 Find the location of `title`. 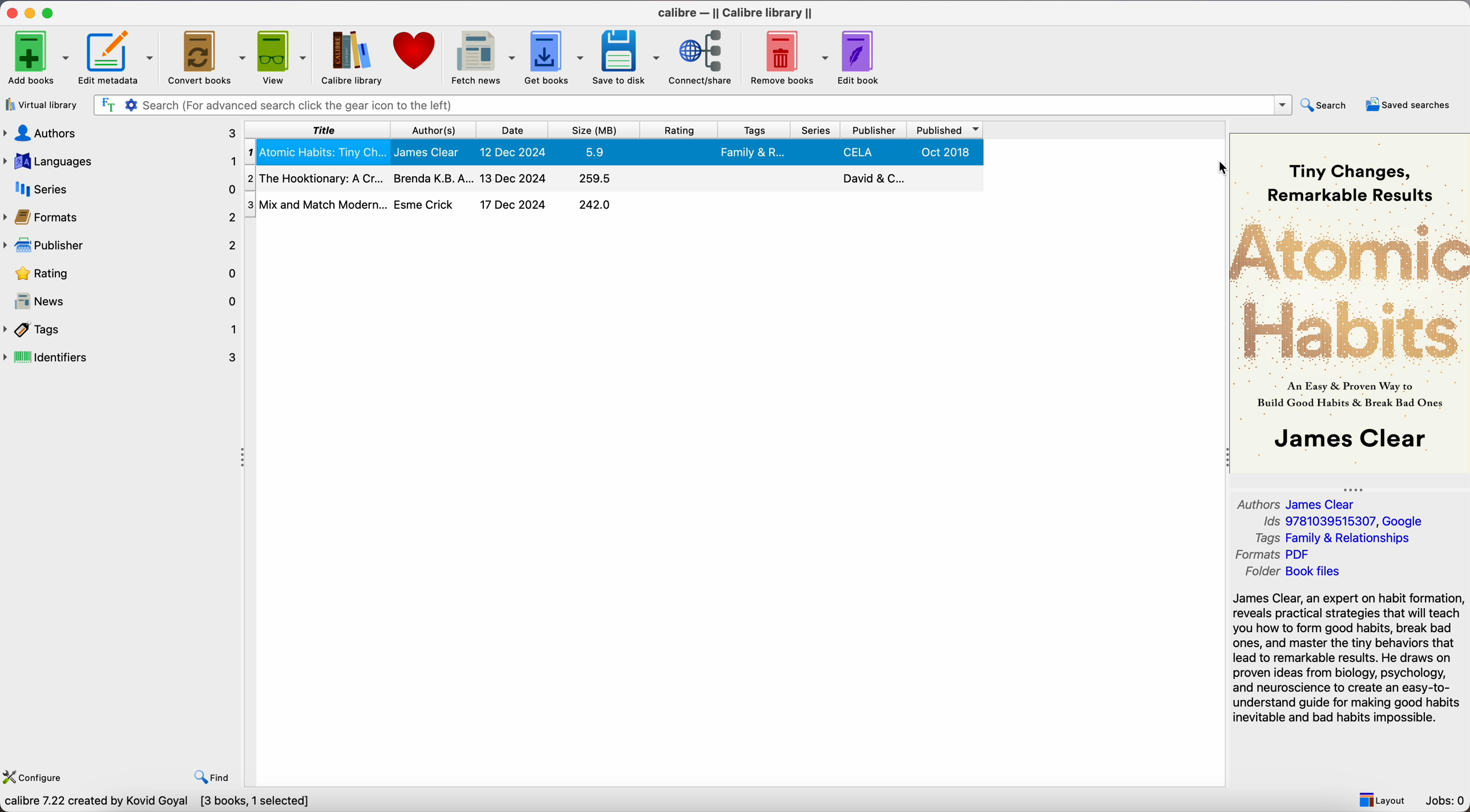

title is located at coordinates (324, 130).